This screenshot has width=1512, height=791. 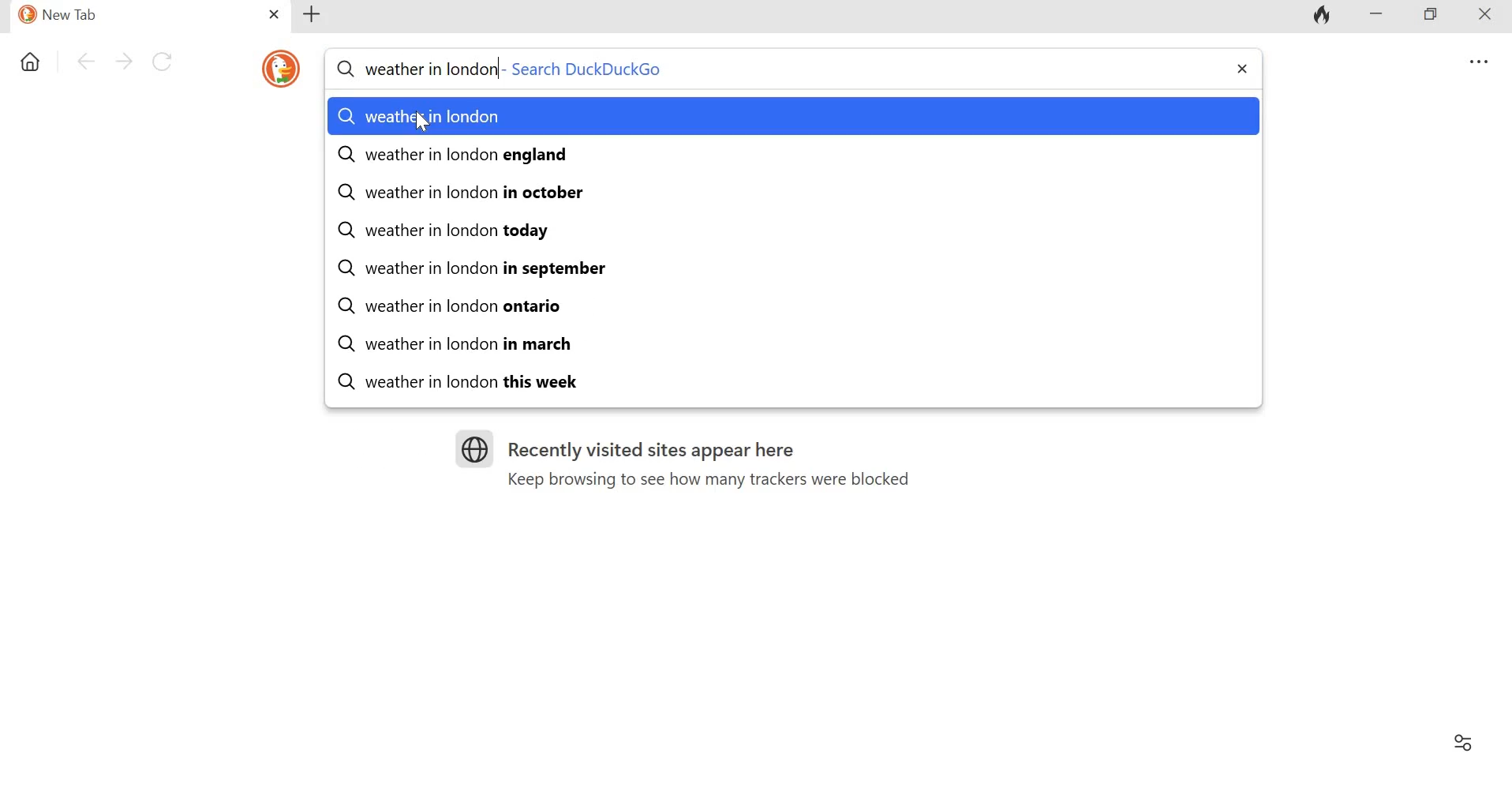 I want to click on Recently visited sites appear here, so click(x=651, y=451).